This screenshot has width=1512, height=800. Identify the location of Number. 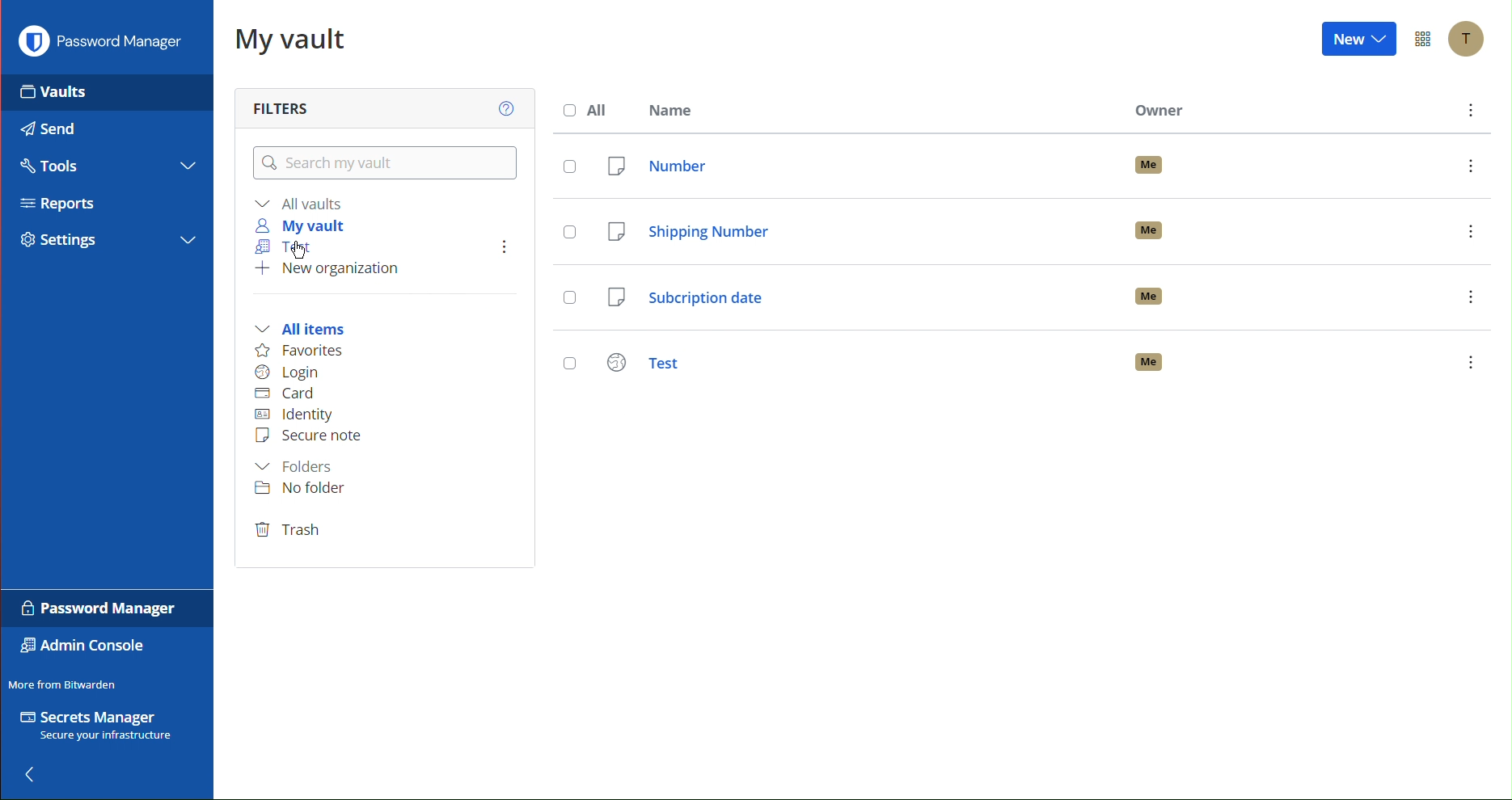
(1045, 169).